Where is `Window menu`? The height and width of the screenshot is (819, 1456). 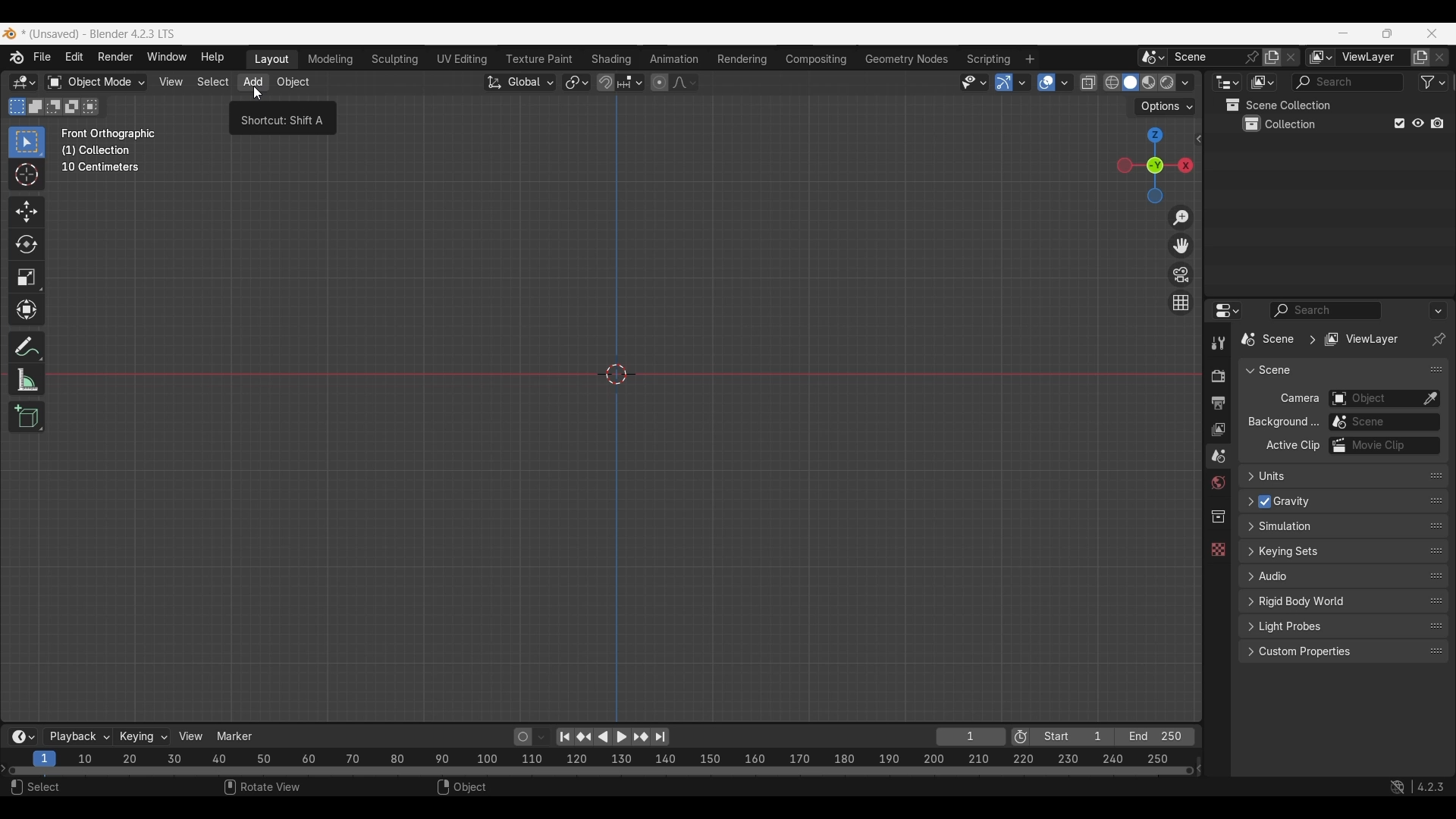
Window menu is located at coordinates (167, 58).